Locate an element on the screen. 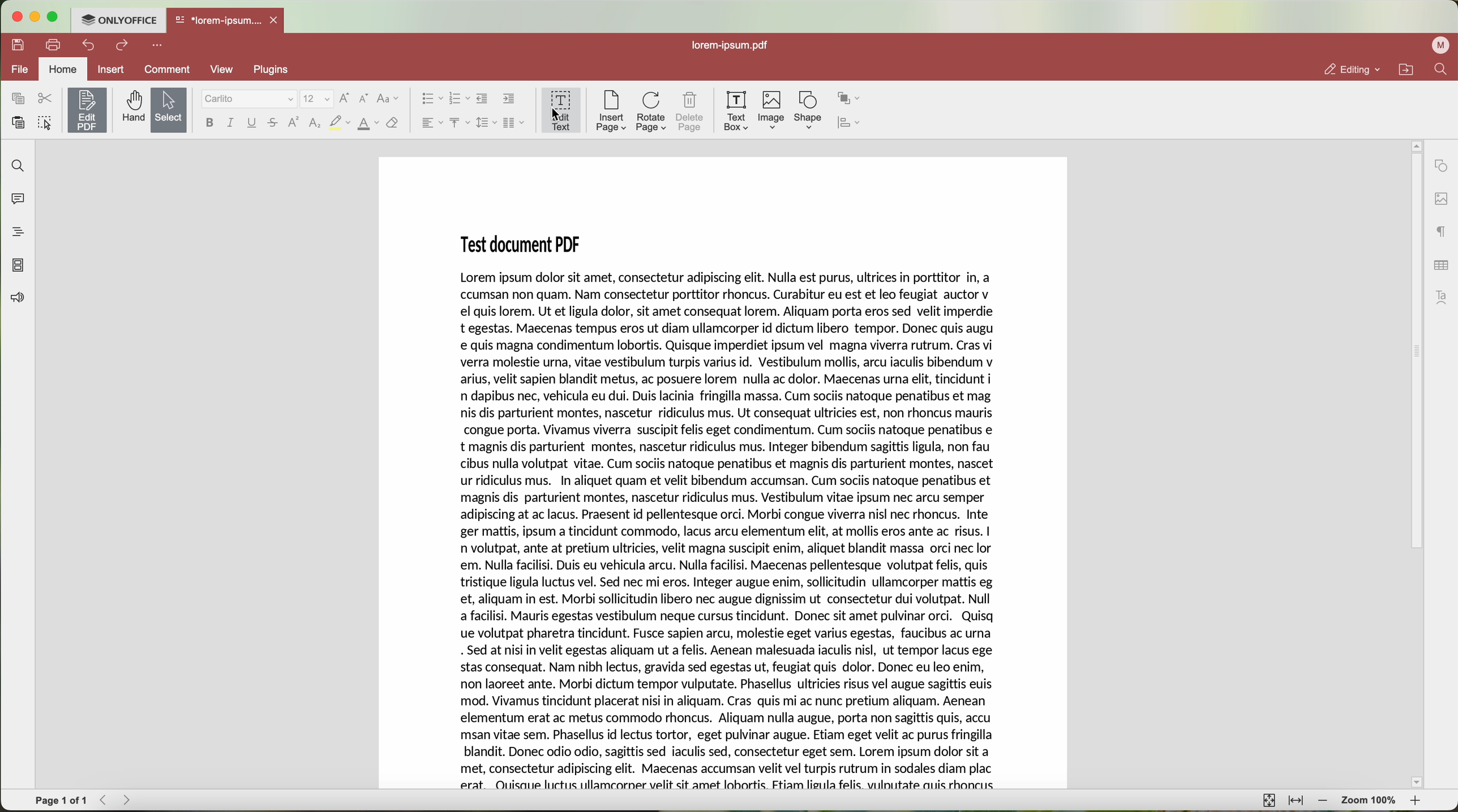 The height and width of the screenshot is (812, 1458). zoom in is located at coordinates (1418, 802).